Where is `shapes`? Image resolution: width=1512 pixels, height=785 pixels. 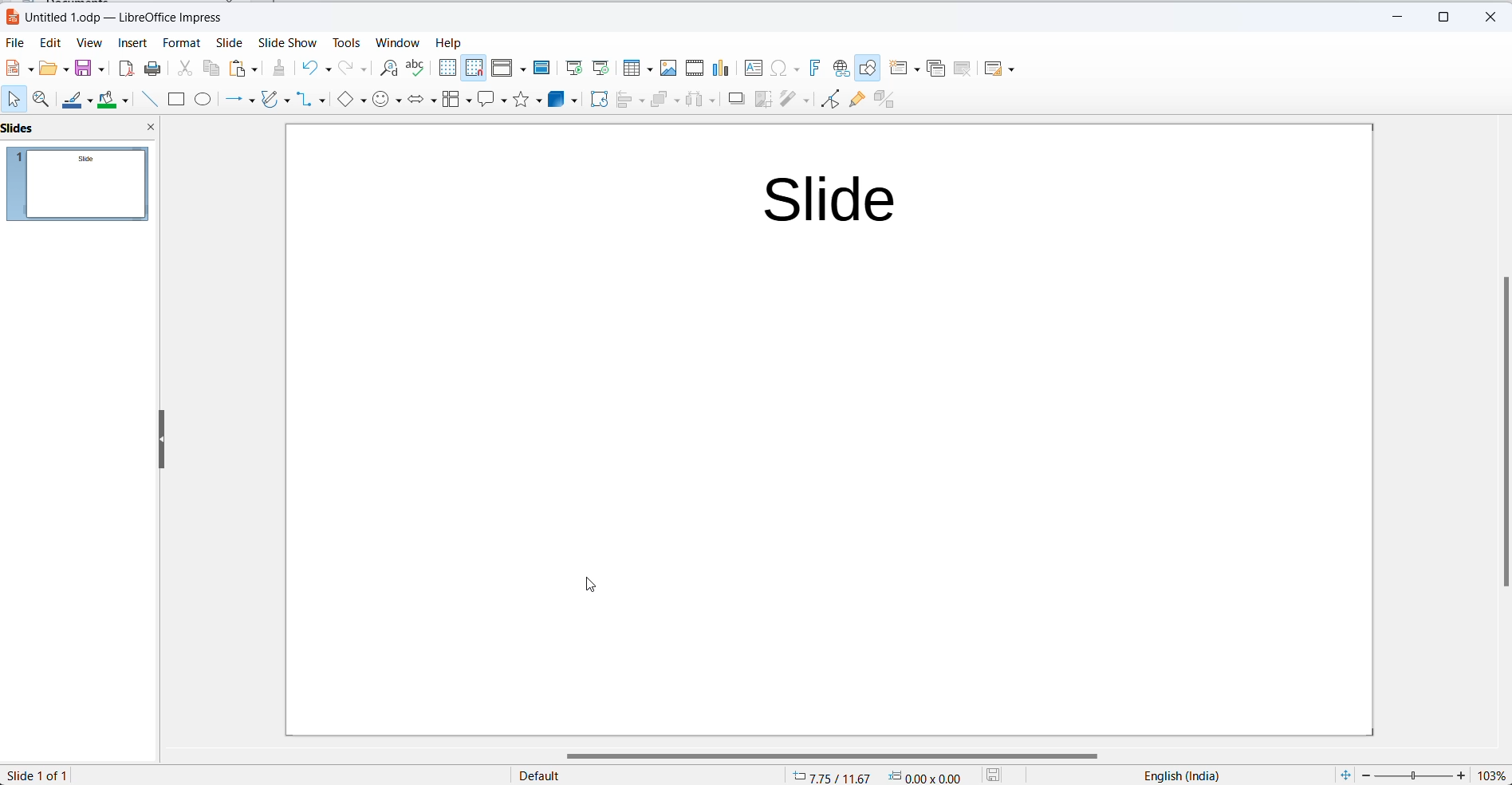 shapes is located at coordinates (529, 103).